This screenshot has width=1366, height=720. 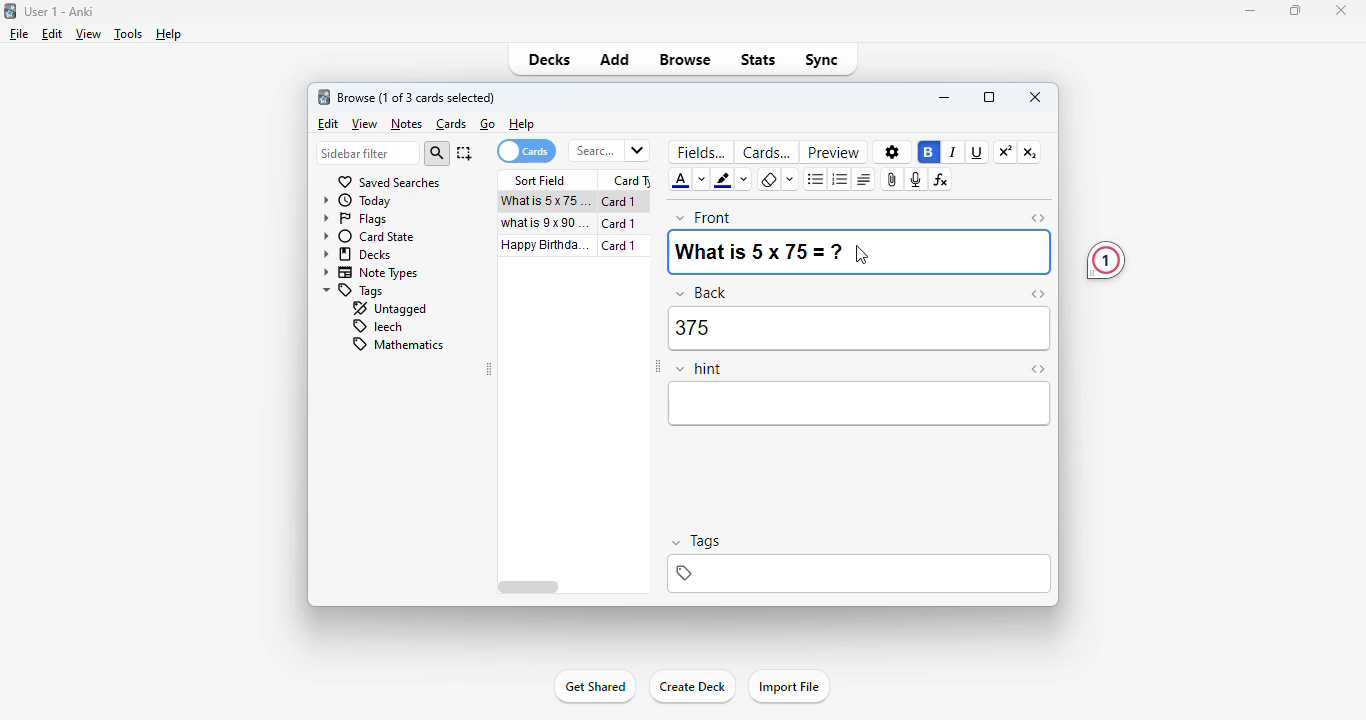 What do you see at coordinates (770, 179) in the screenshot?
I see `remove formatting` at bounding box center [770, 179].